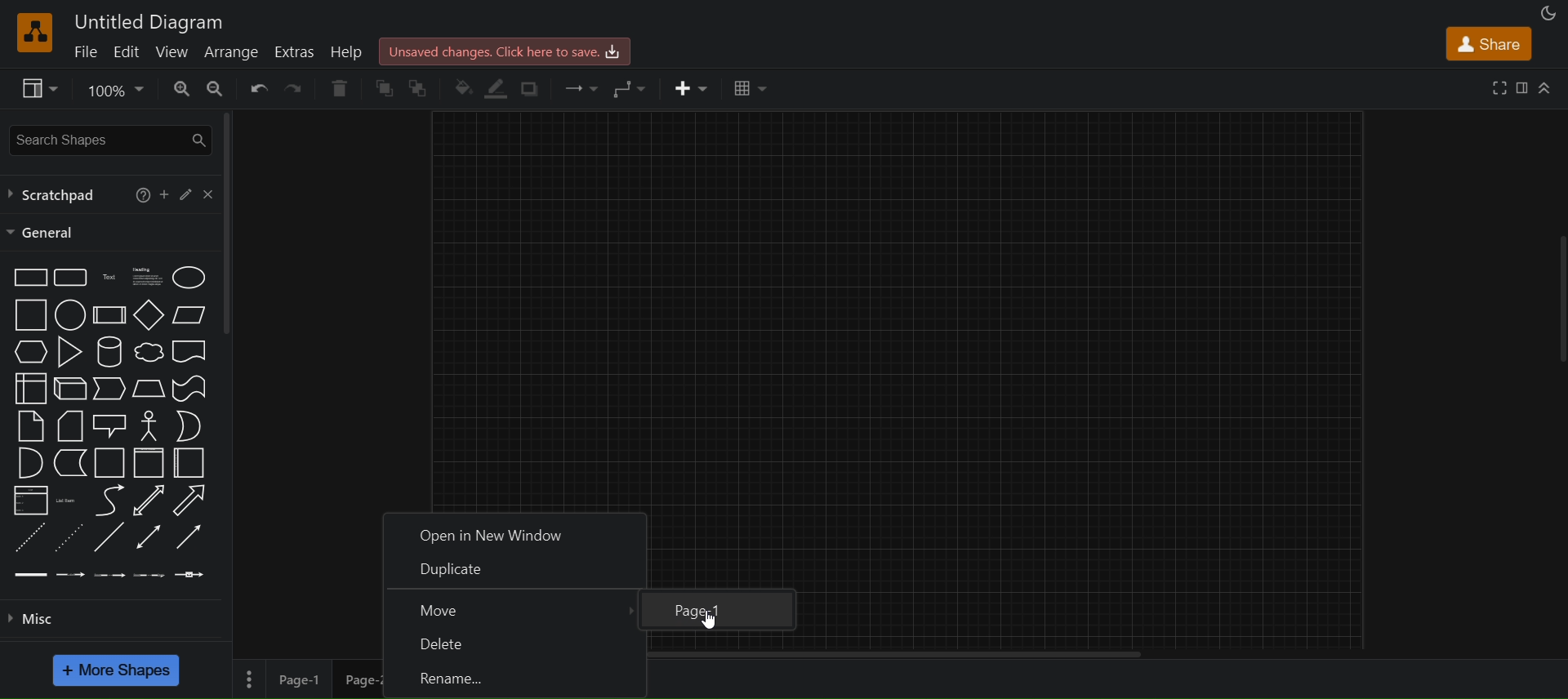  I want to click on logo, so click(32, 33).